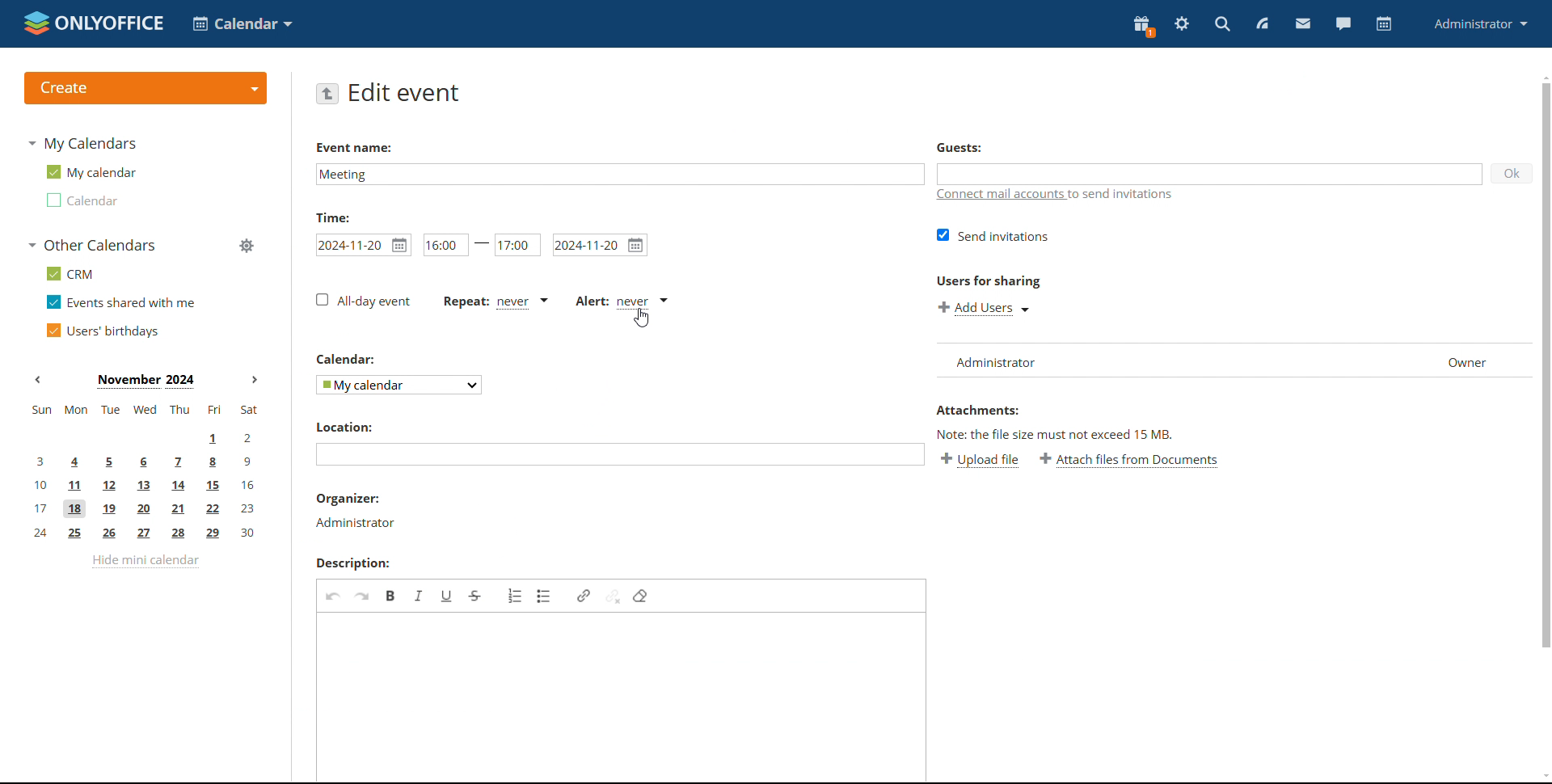  Describe the element at coordinates (1384, 24) in the screenshot. I see `calendar` at that location.